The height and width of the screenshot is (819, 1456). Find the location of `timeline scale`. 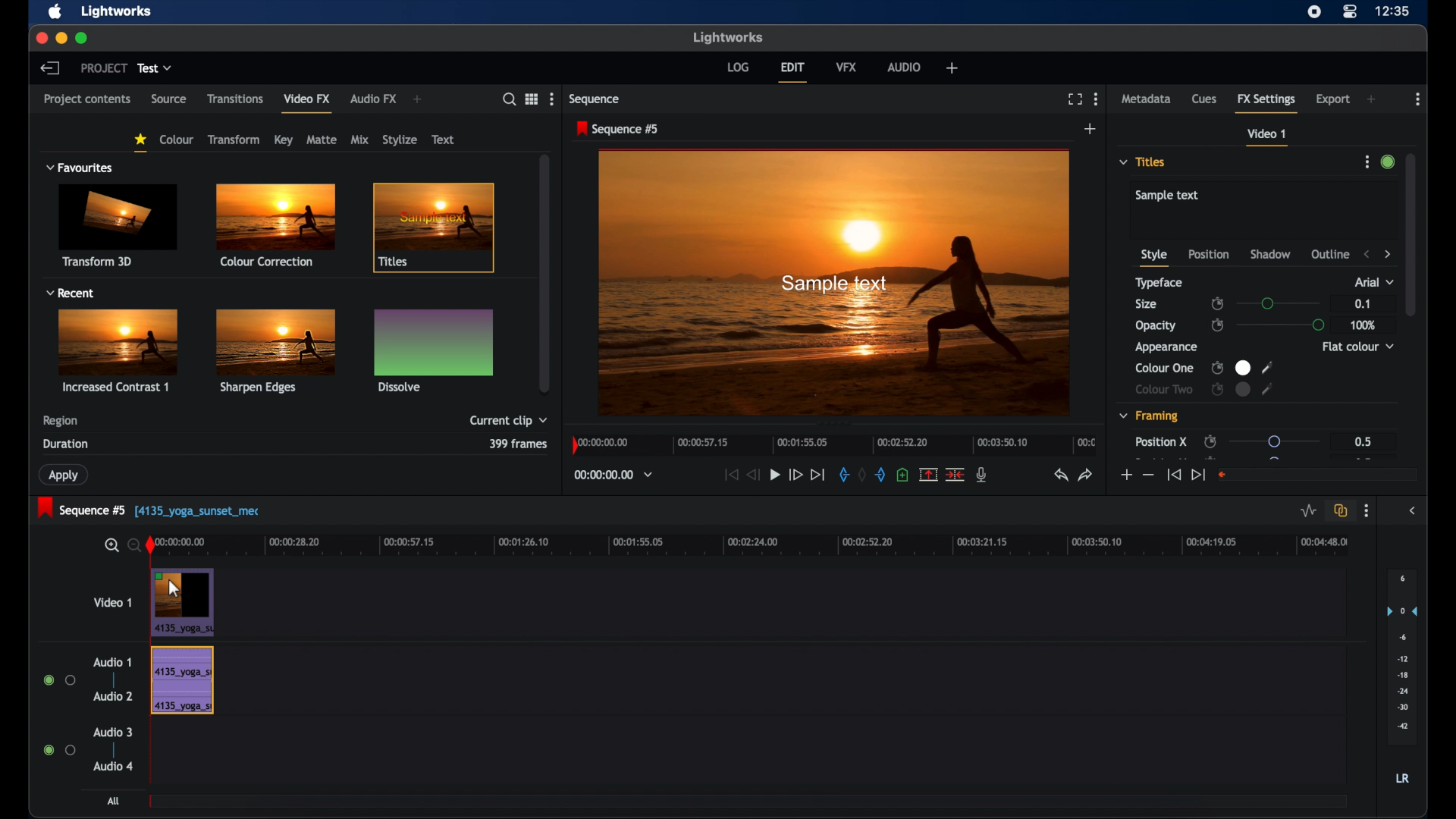

timeline scale is located at coordinates (834, 444).